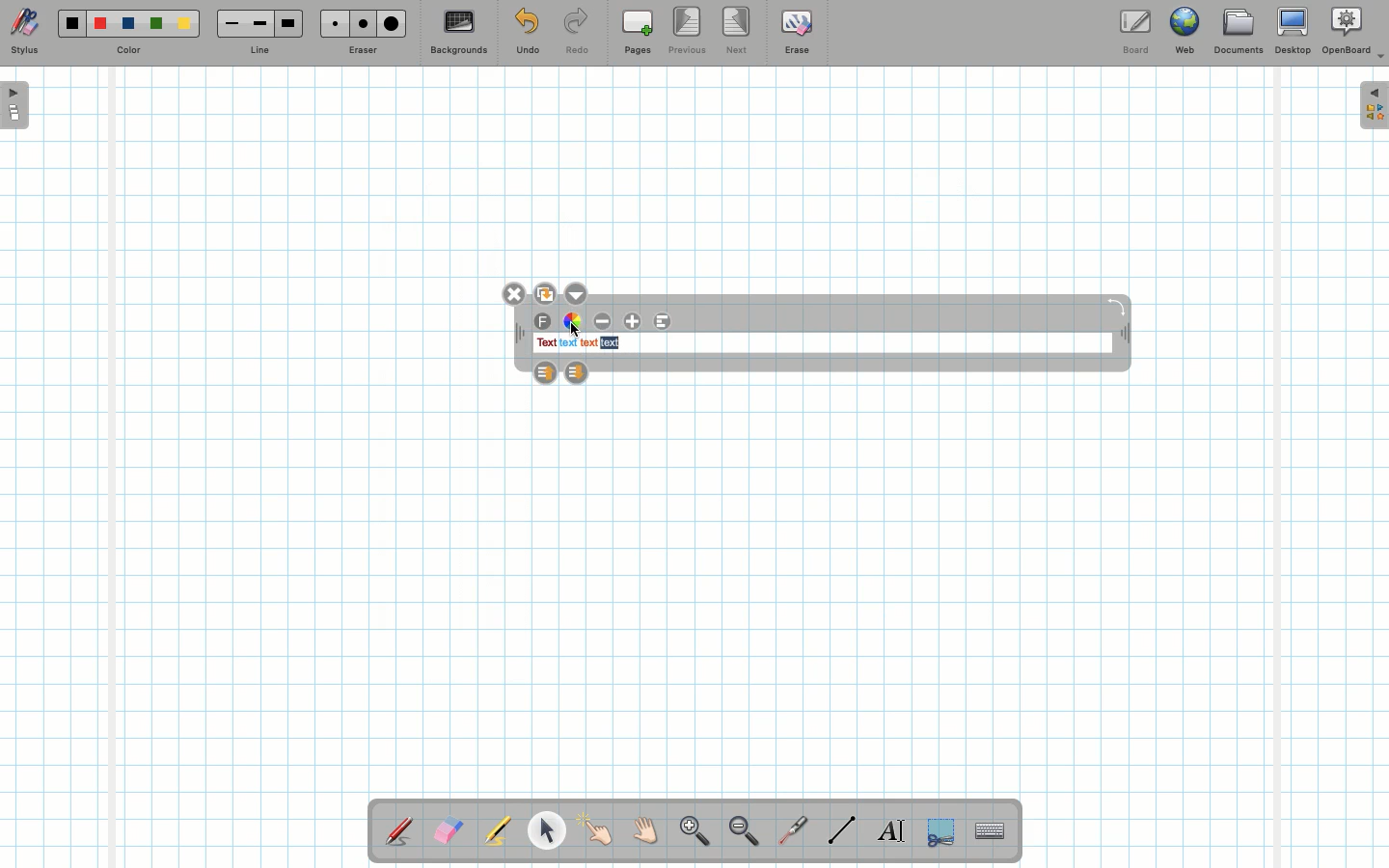  What do you see at coordinates (544, 291) in the screenshot?
I see `Duplicate` at bounding box center [544, 291].